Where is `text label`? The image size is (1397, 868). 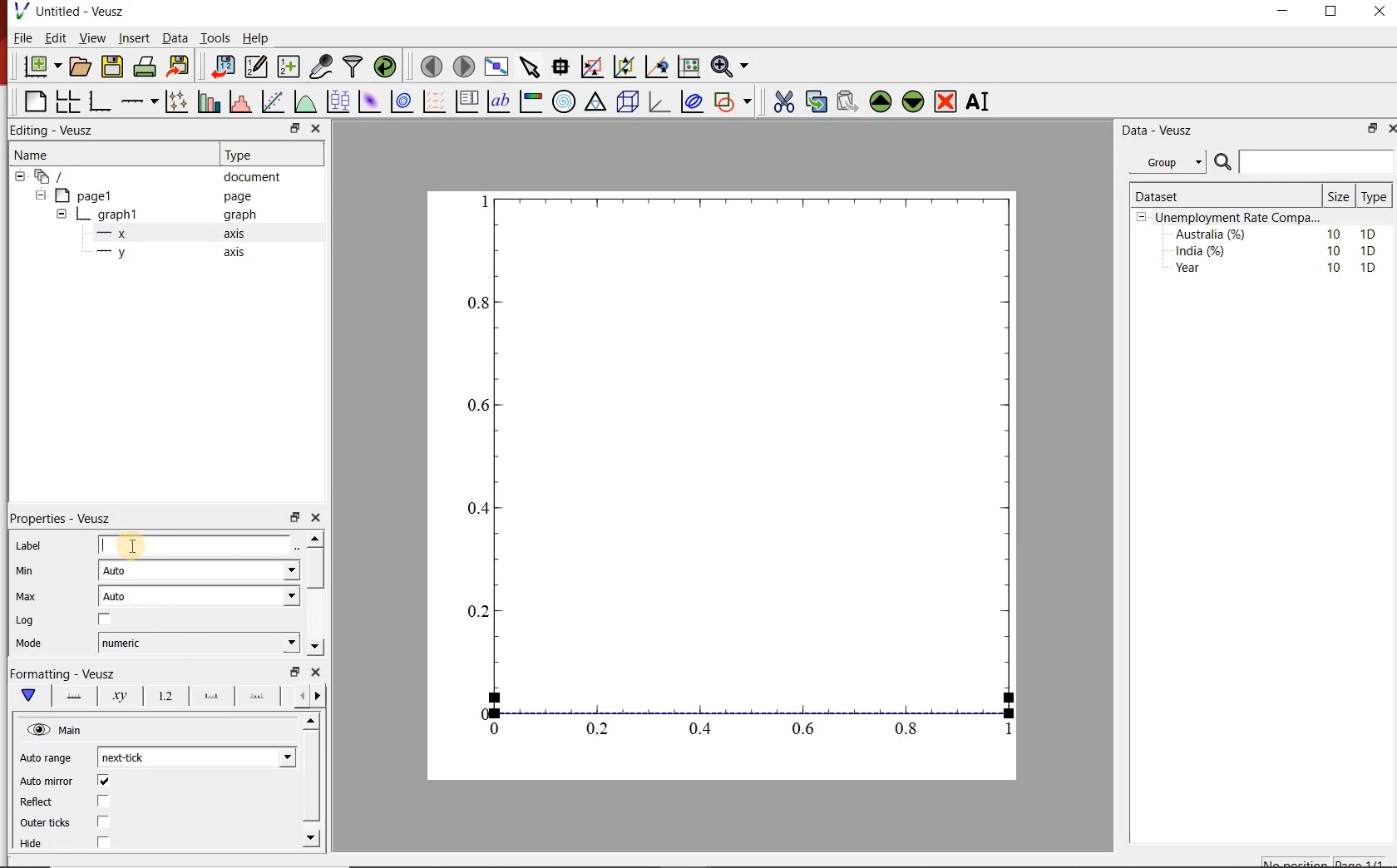 text label is located at coordinates (499, 101).